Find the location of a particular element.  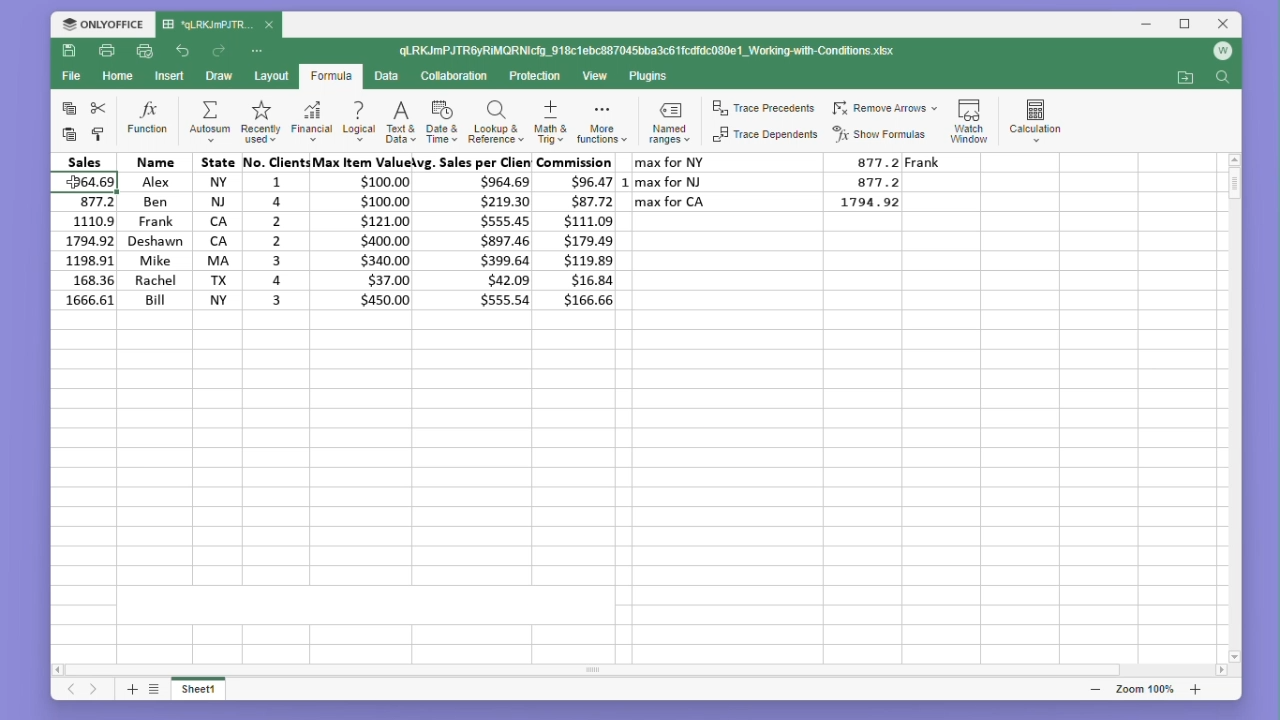

Next sheet is located at coordinates (95, 691).